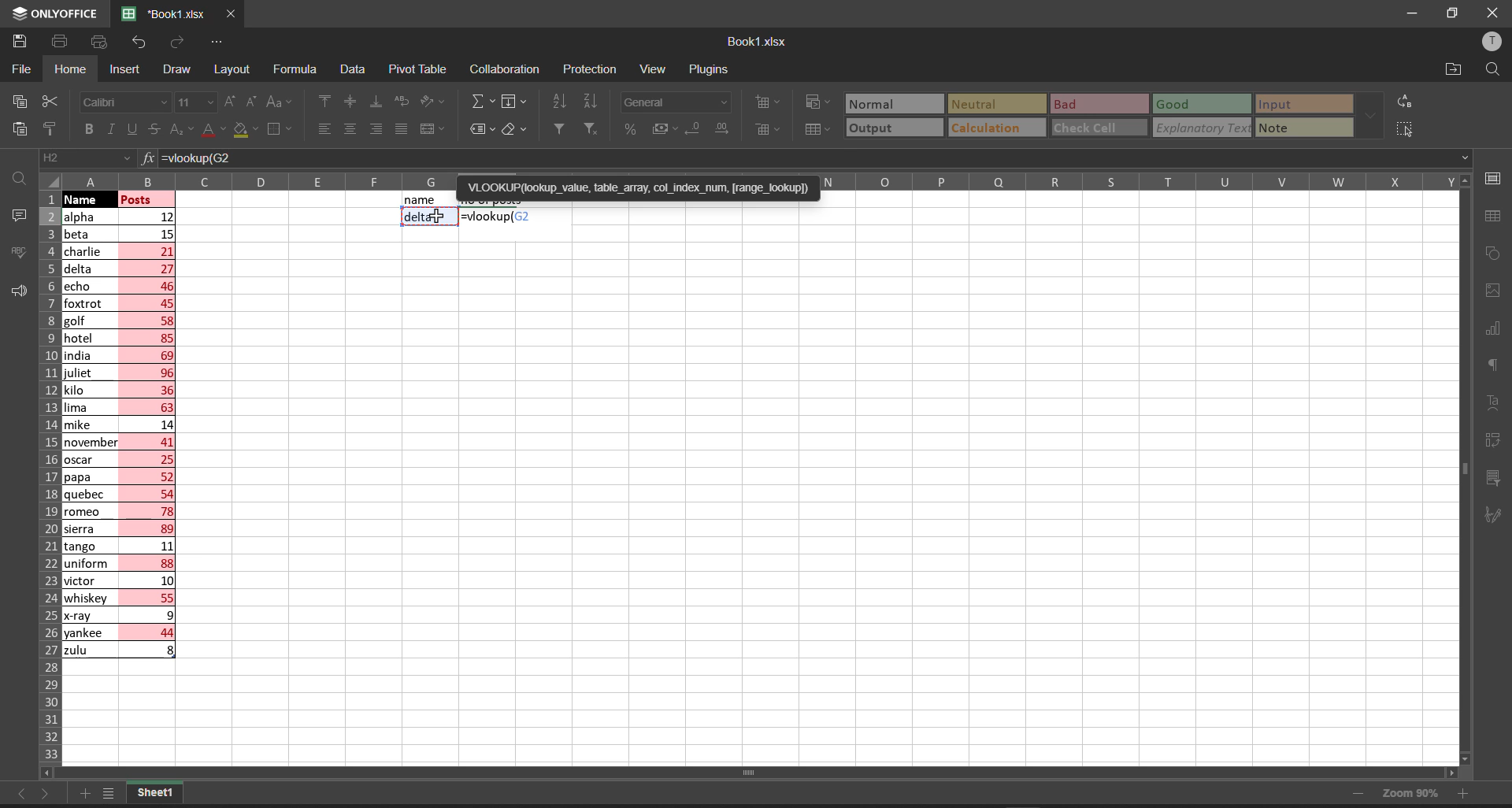 The width and height of the screenshot is (1512, 808). I want to click on orientation, so click(436, 102).